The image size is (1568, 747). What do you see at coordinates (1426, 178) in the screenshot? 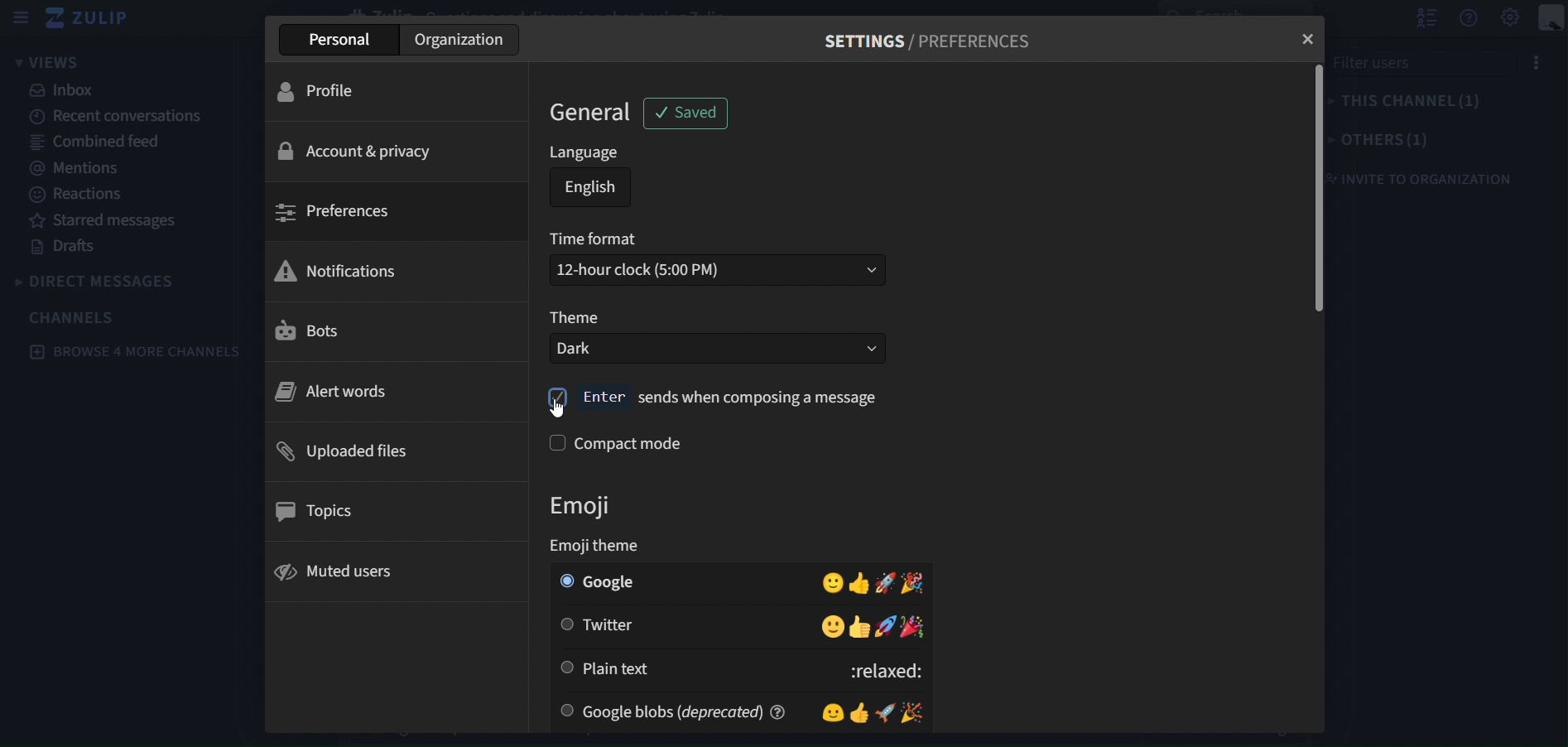
I see `invite to organization` at bounding box center [1426, 178].